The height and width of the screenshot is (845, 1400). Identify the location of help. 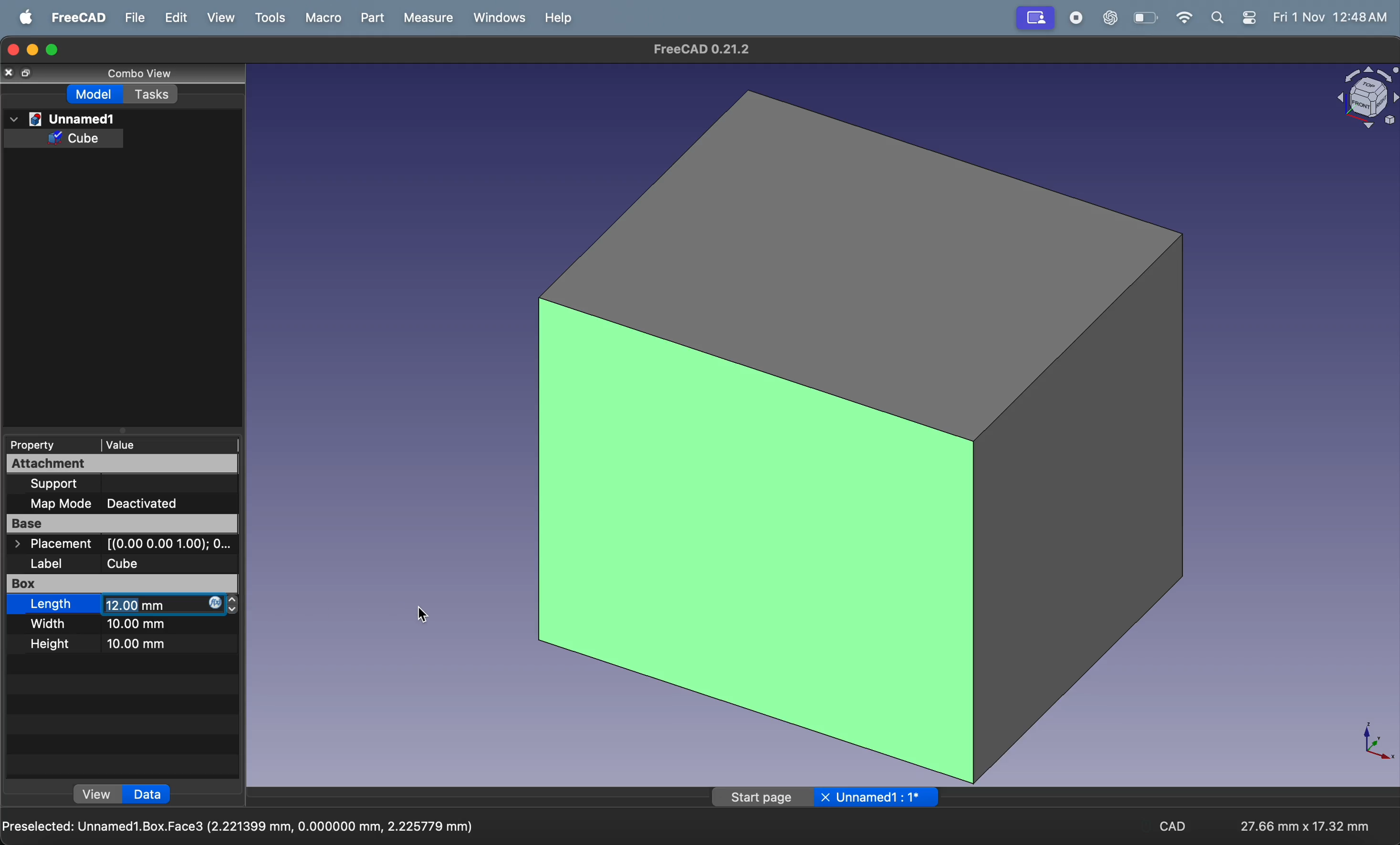
(556, 18).